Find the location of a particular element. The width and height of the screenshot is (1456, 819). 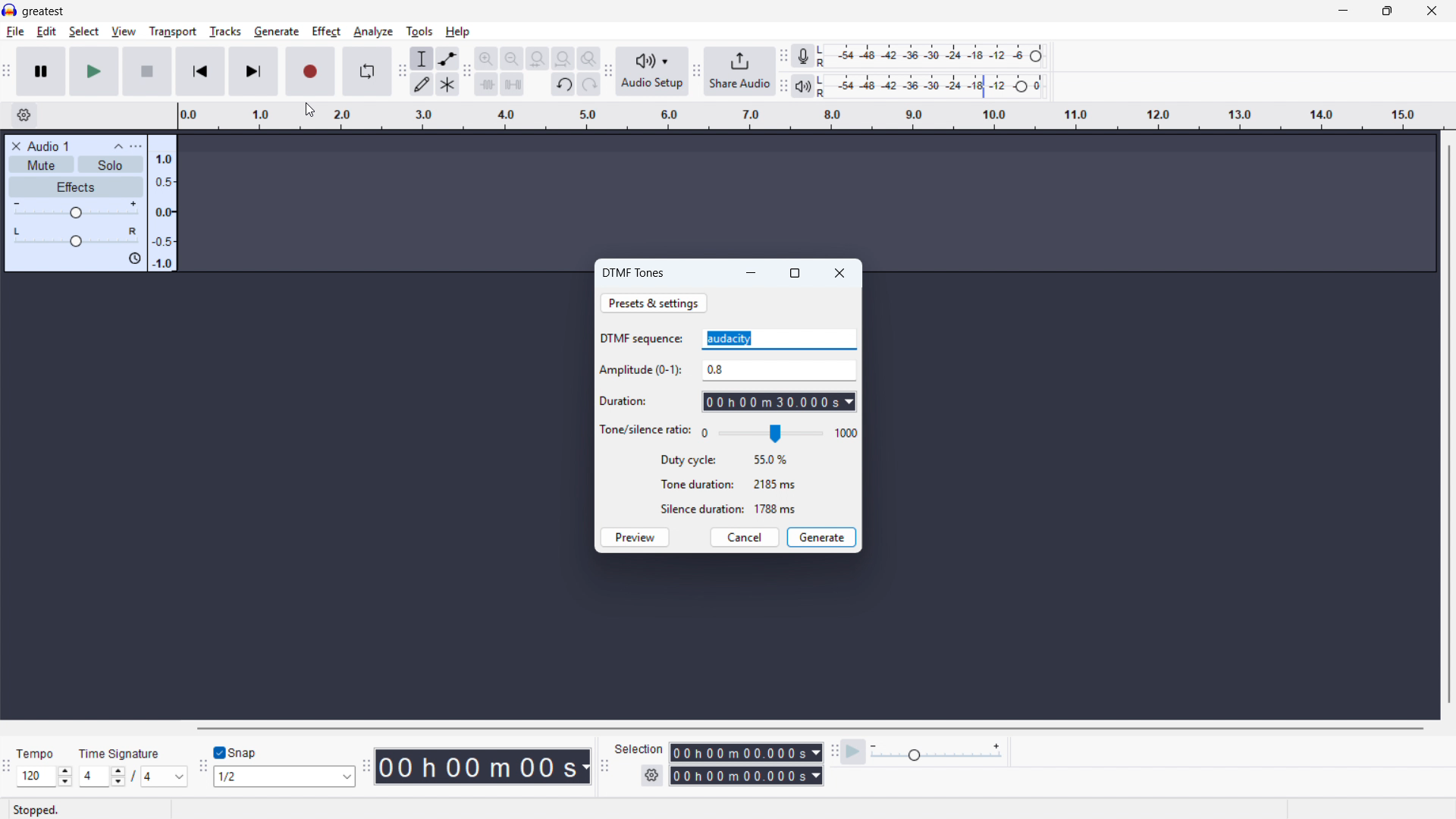

Pan: Centre is located at coordinates (74, 236).